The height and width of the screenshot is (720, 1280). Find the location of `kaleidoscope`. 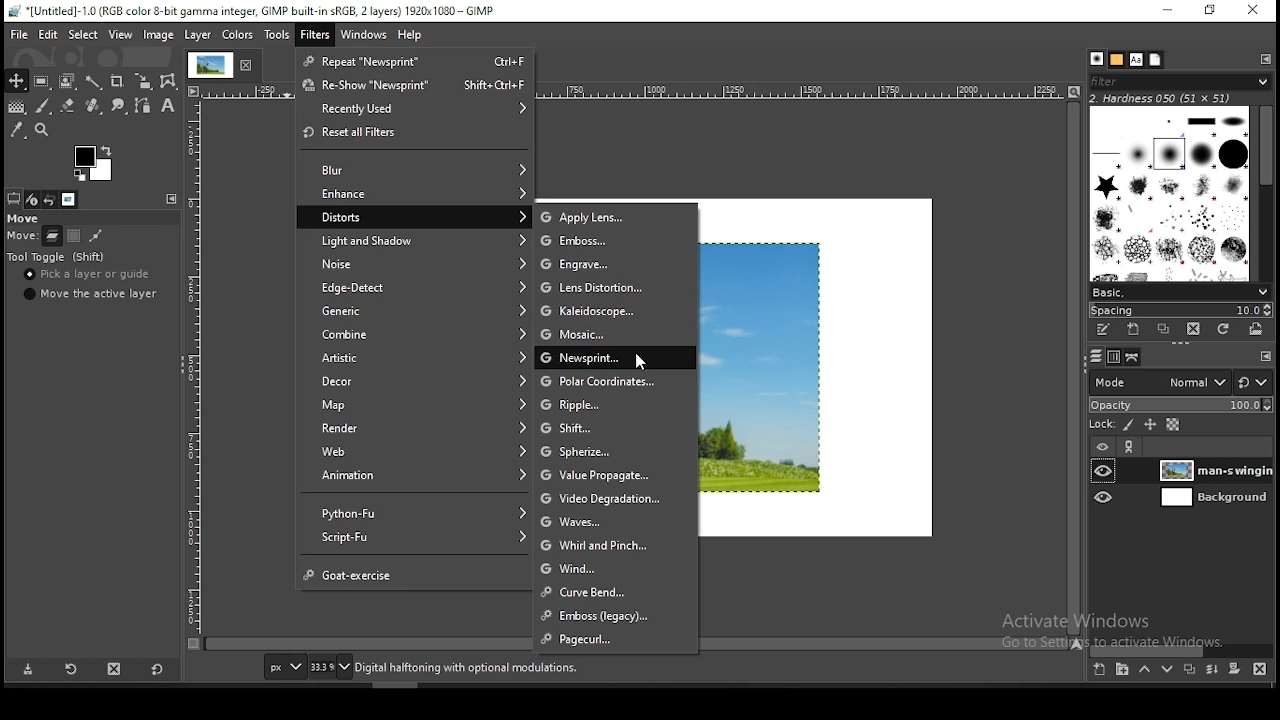

kaleidoscope is located at coordinates (614, 311).